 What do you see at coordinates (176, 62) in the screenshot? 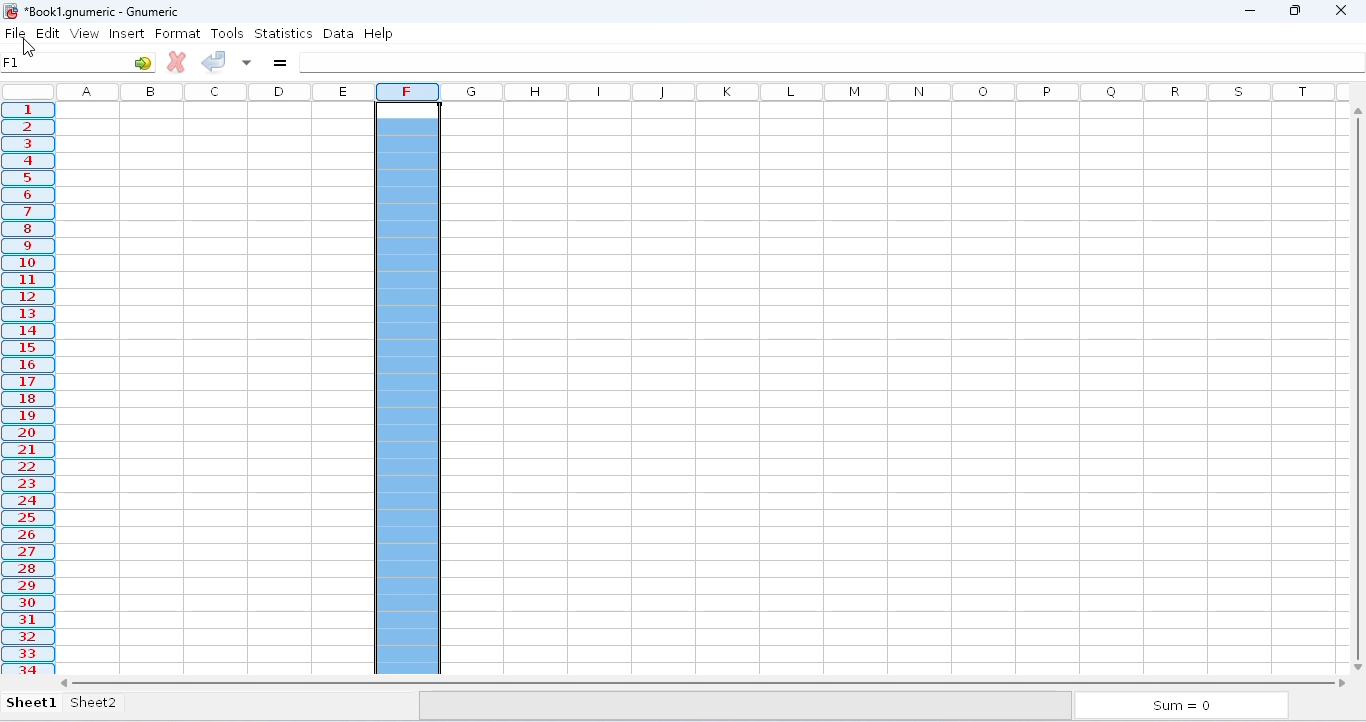
I see `cancel change` at bounding box center [176, 62].